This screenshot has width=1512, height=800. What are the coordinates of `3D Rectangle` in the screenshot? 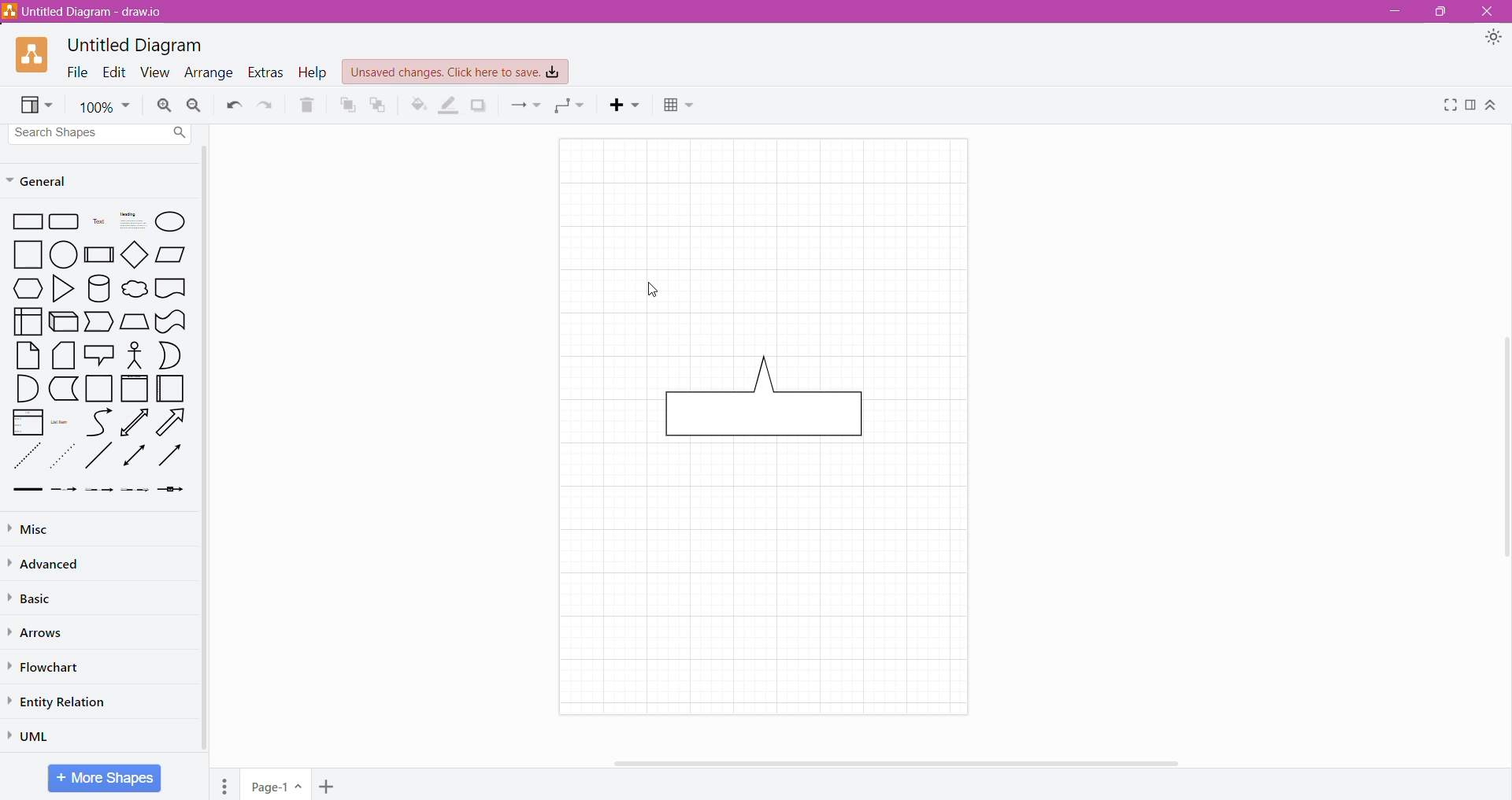 It's located at (64, 321).